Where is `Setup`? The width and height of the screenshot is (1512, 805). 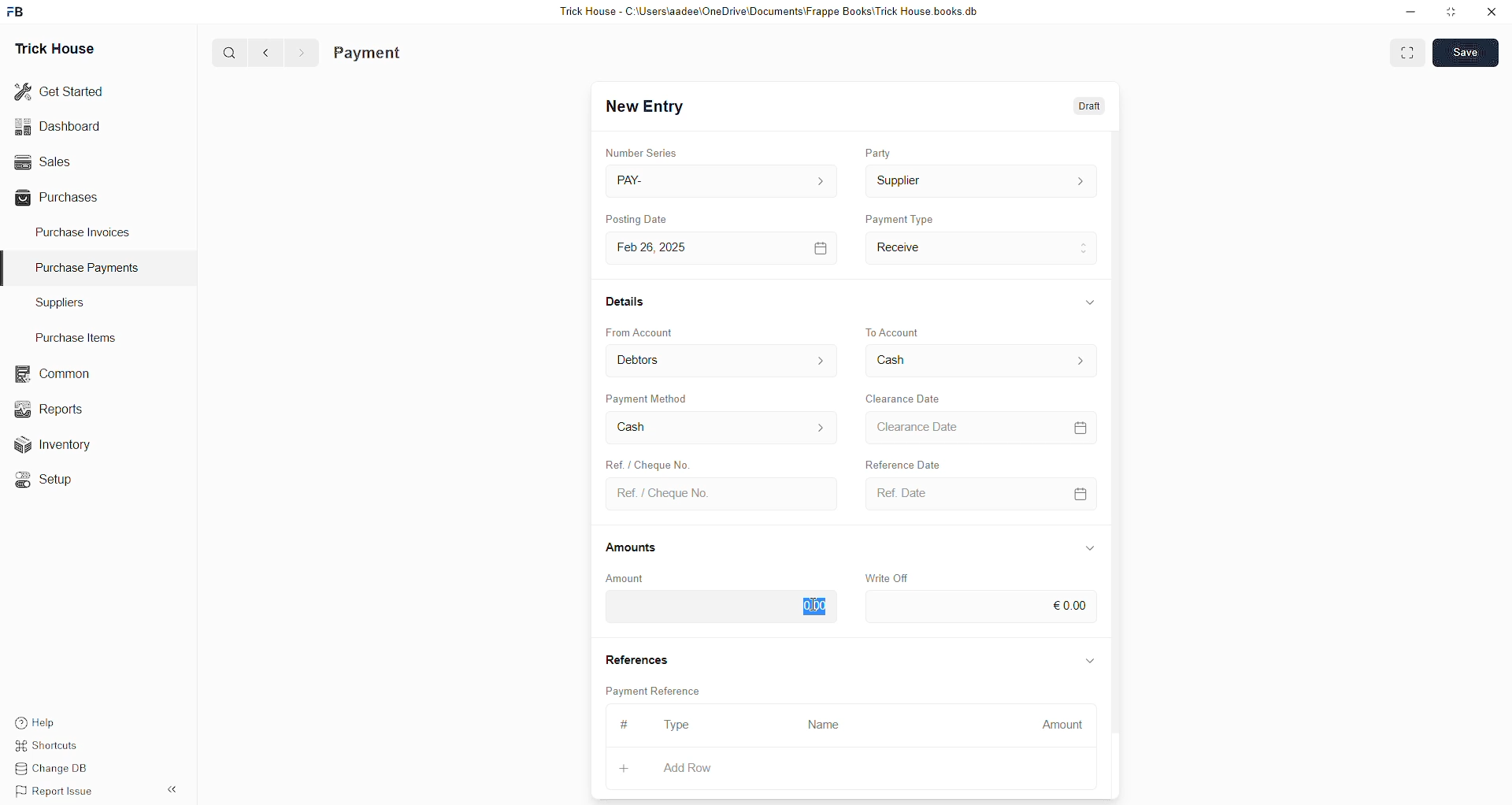
Setup is located at coordinates (43, 478).